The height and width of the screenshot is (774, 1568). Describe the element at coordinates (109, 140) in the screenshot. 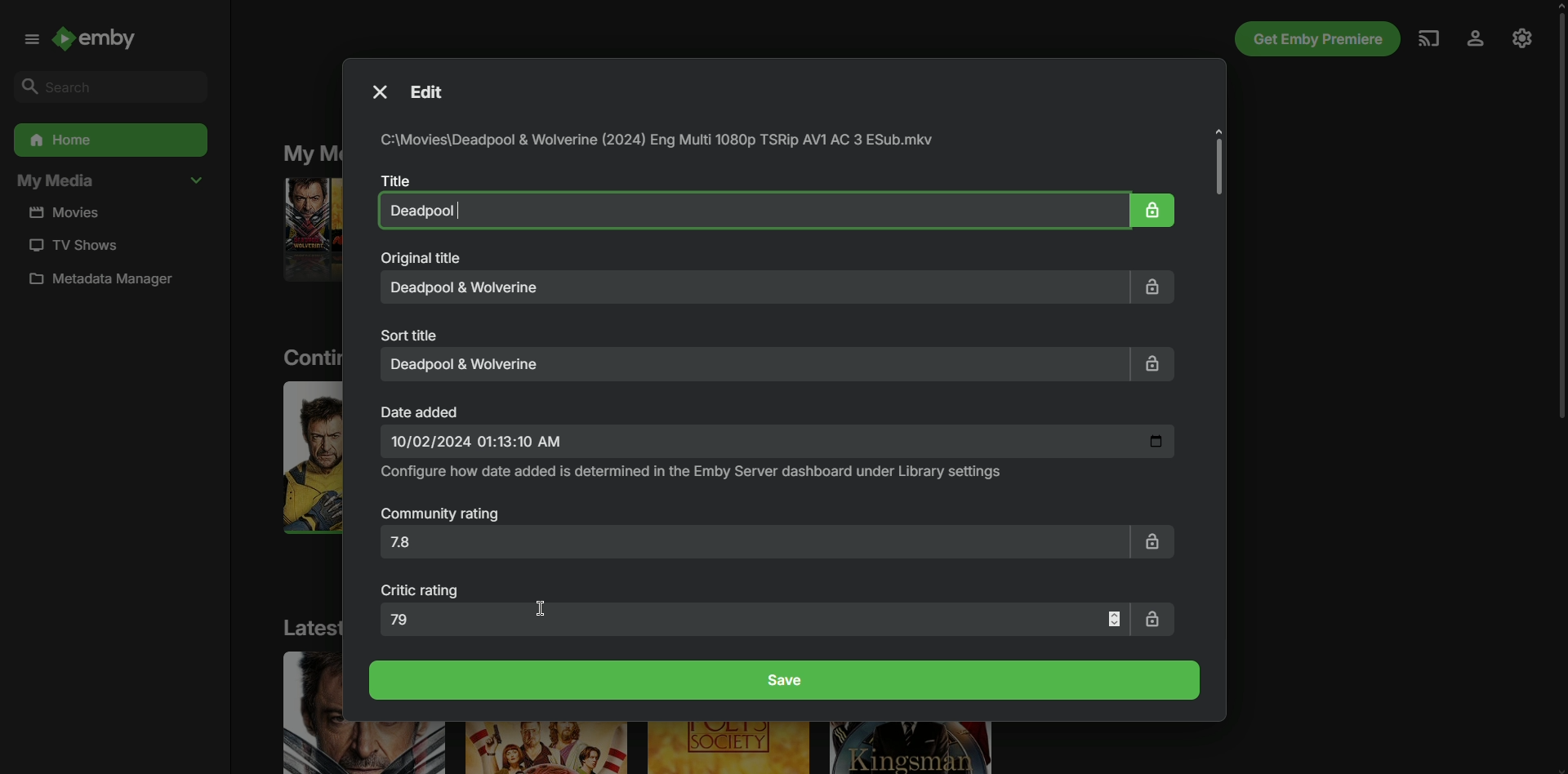

I see `Home` at that location.